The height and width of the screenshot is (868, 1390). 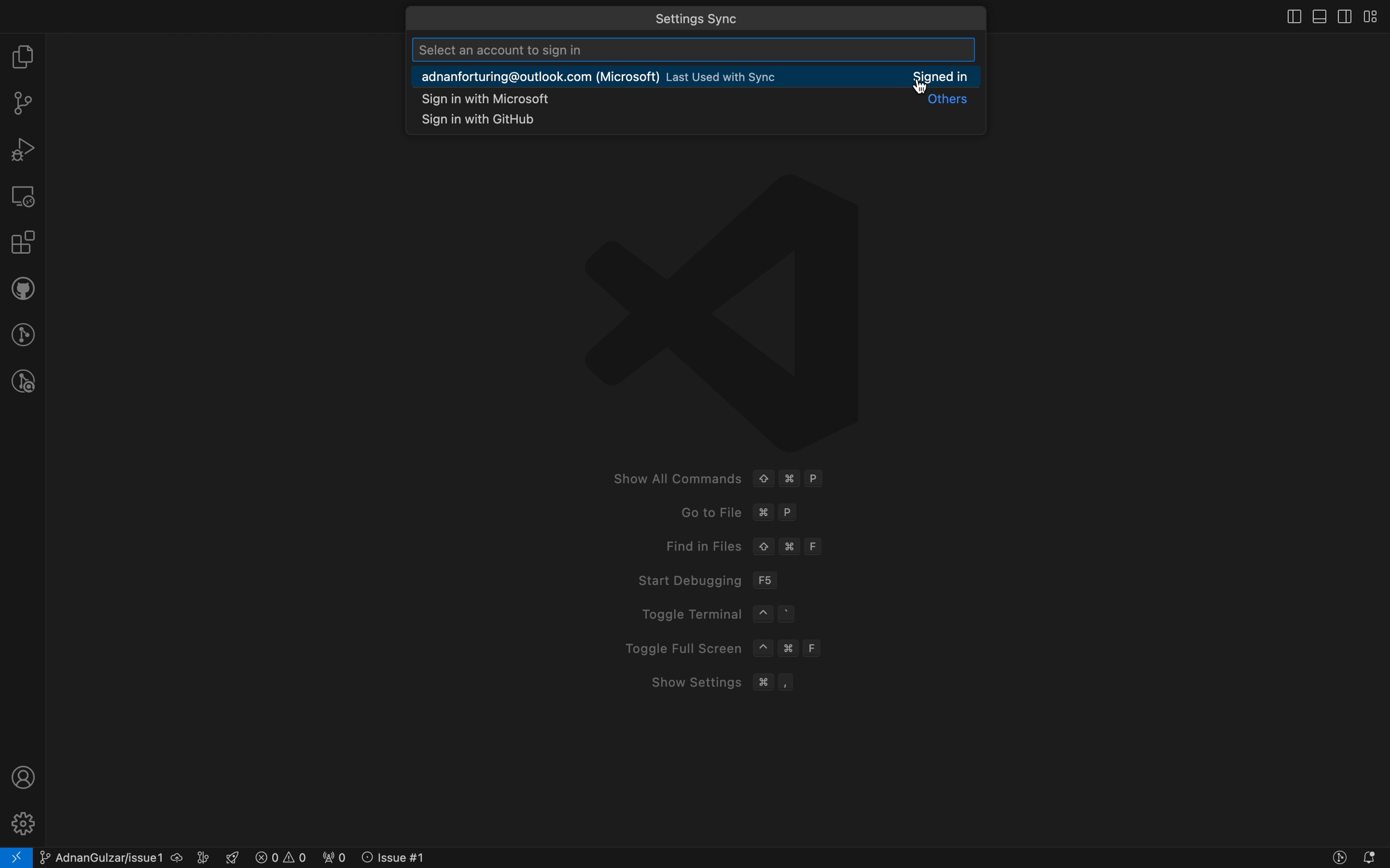 I want to click on quick menus, so click(x=733, y=20).